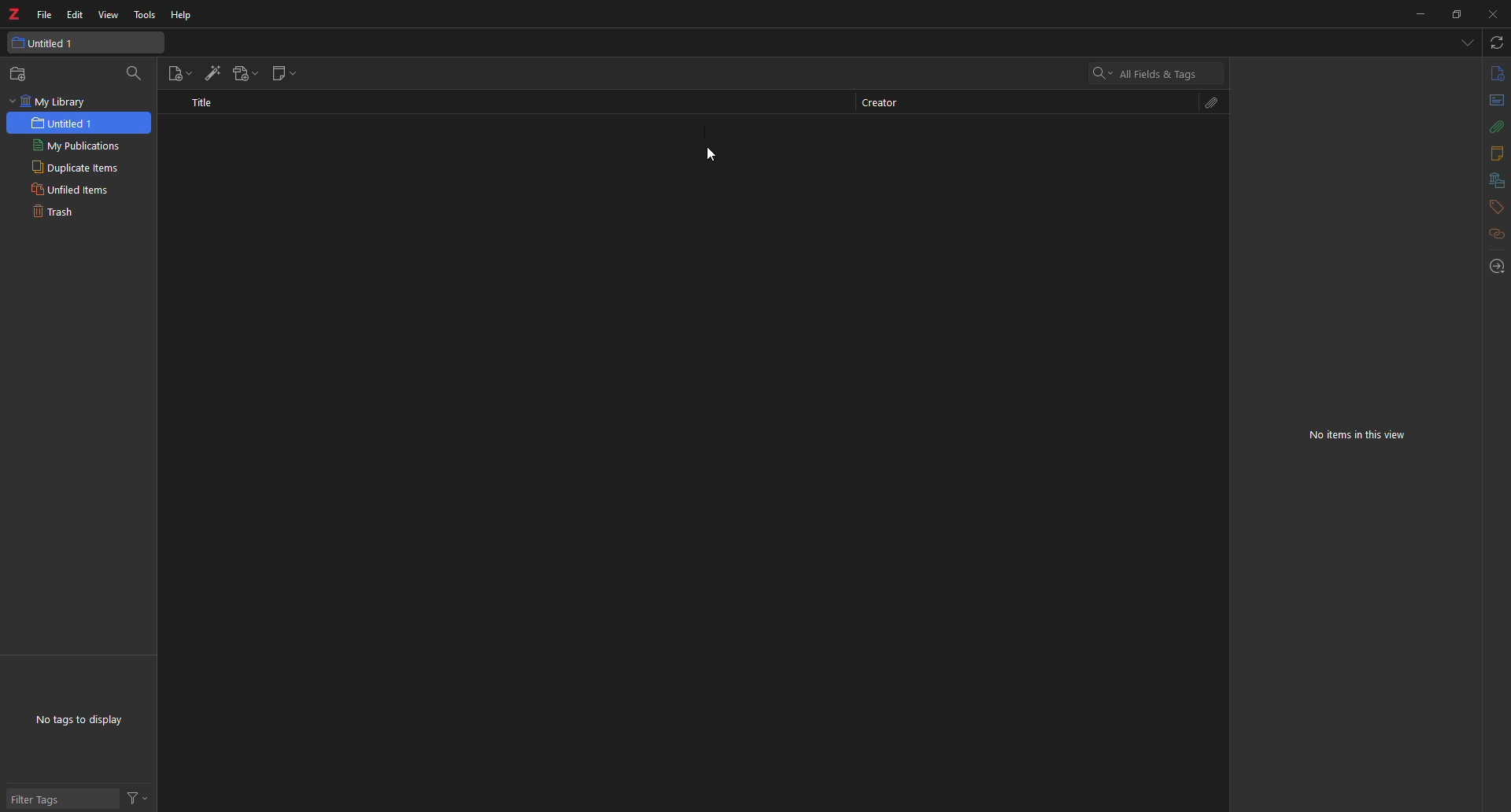 This screenshot has height=812, width=1511. What do you see at coordinates (202, 102) in the screenshot?
I see `title` at bounding box center [202, 102].